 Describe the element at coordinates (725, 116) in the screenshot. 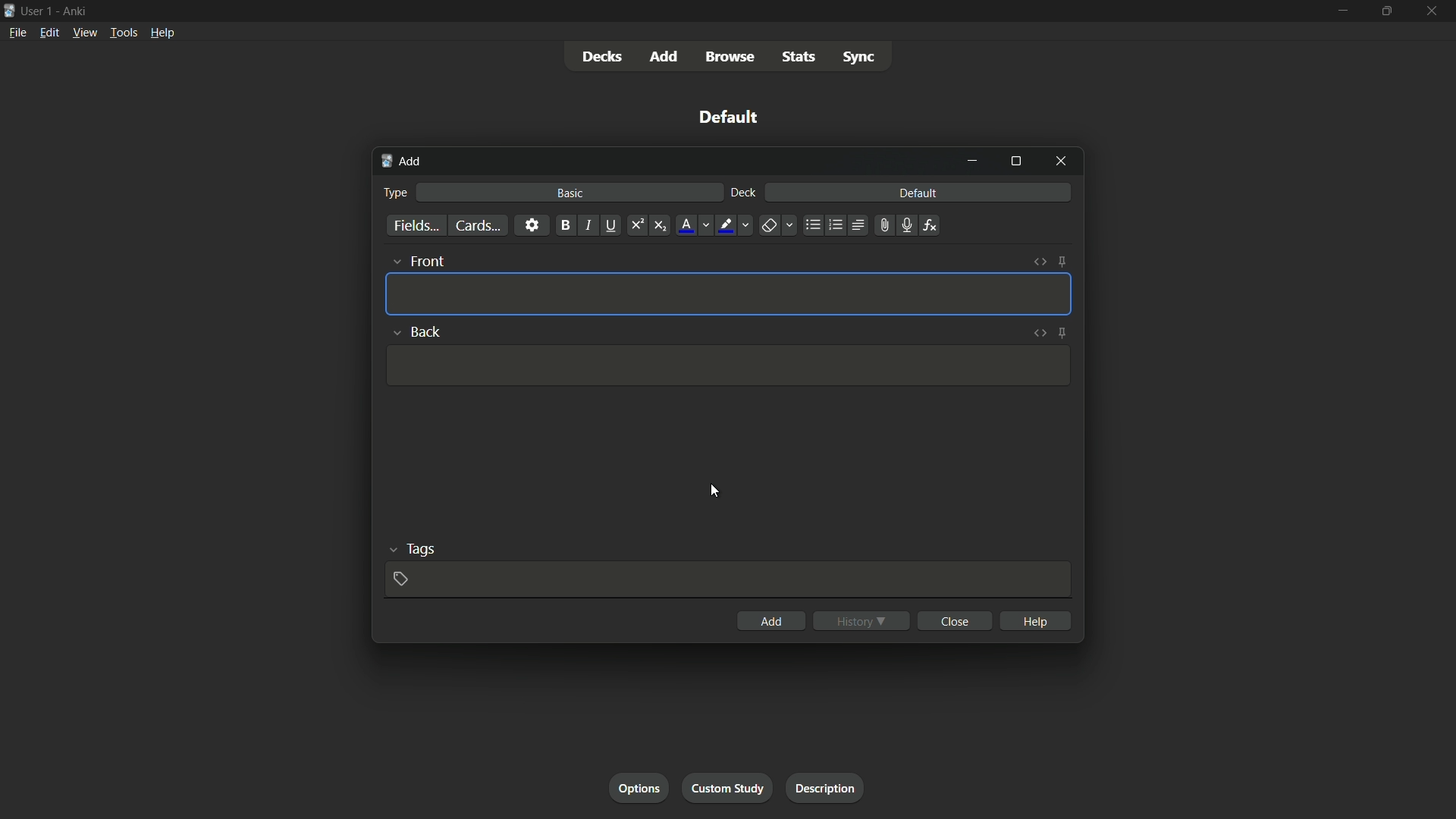

I see `default` at that location.